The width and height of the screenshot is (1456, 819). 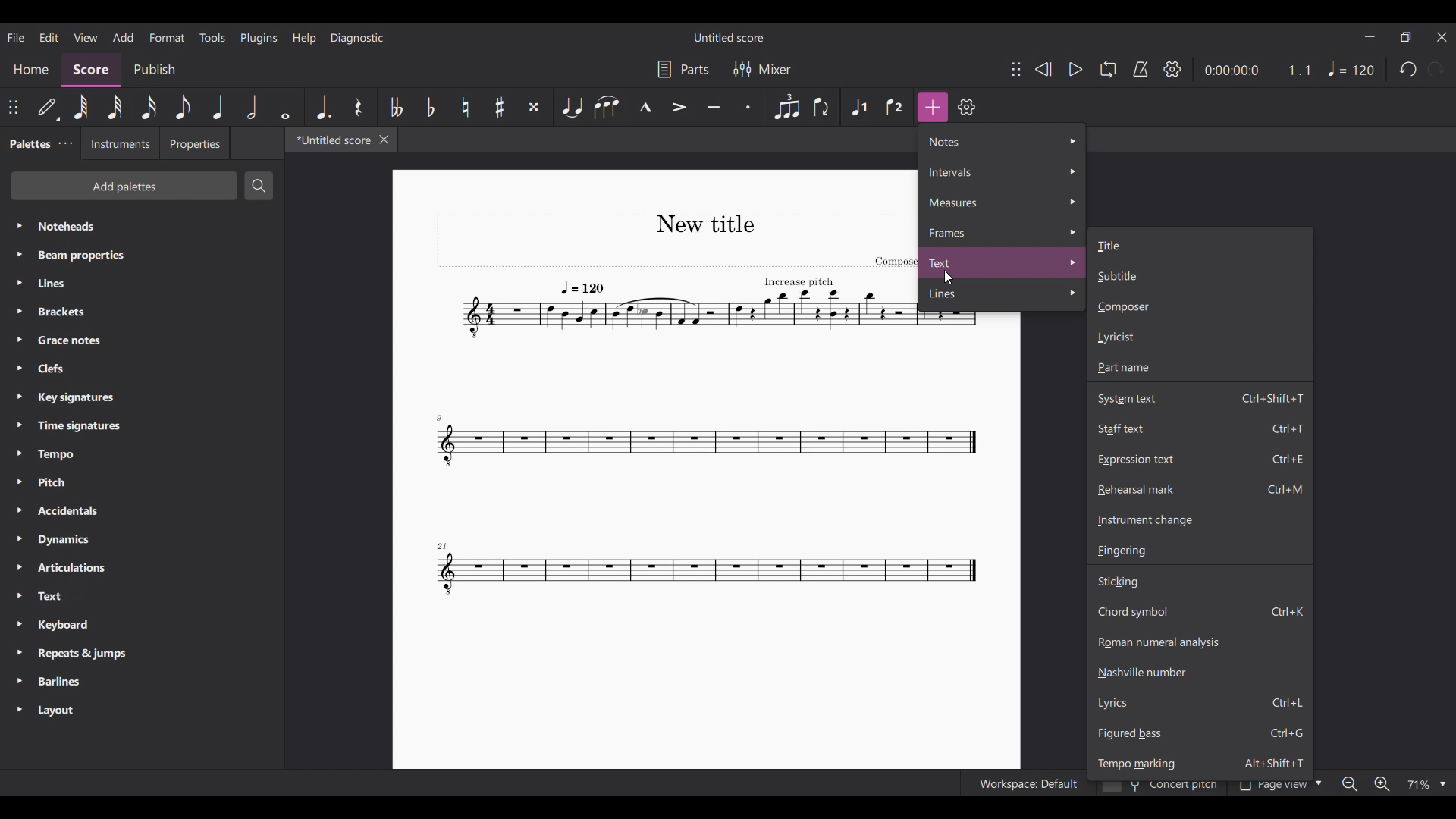 What do you see at coordinates (673, 412) in the screenshot?
I see `Current score` at bounding box center [673, 412].